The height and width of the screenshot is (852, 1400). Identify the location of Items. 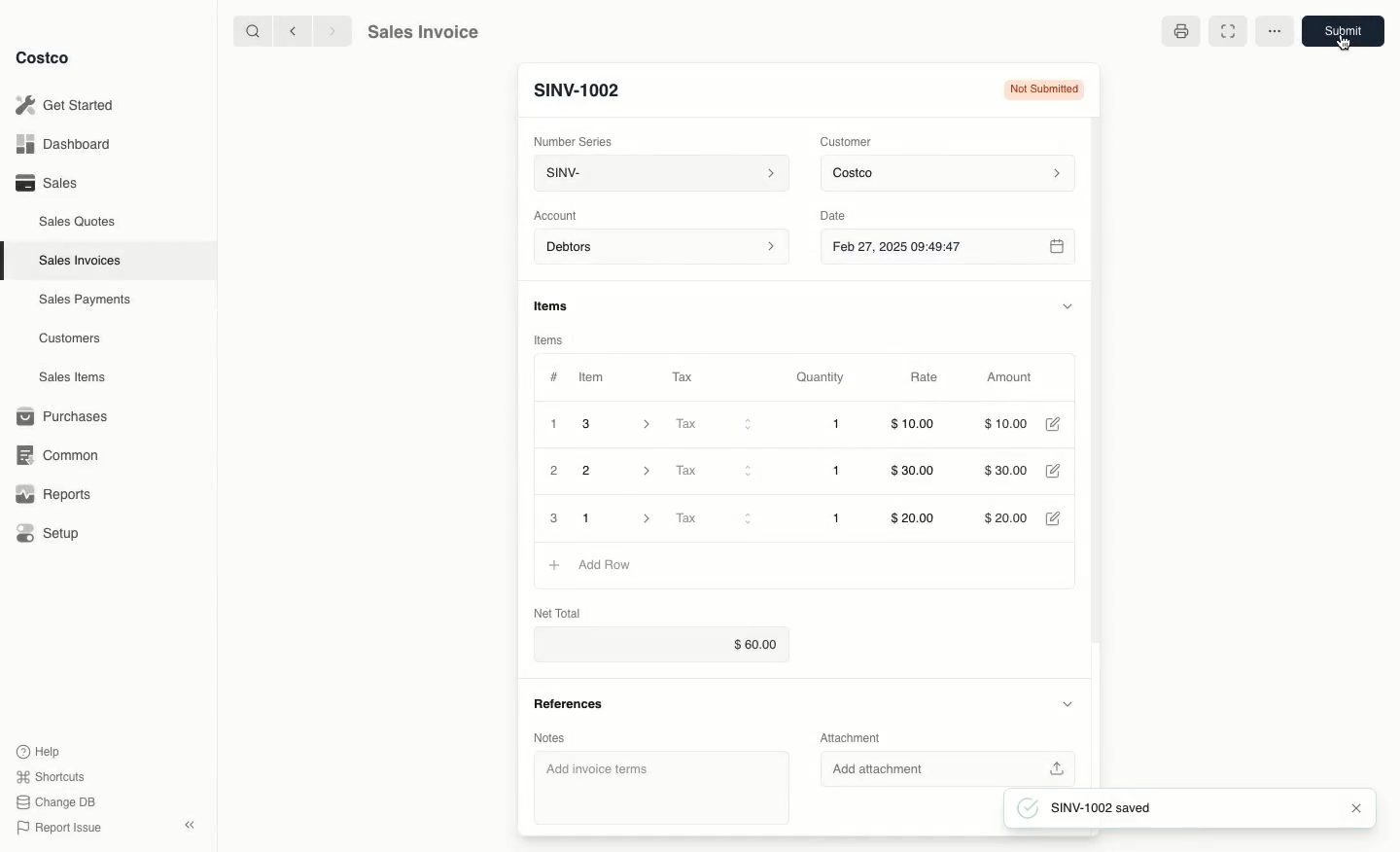
(560, 307).